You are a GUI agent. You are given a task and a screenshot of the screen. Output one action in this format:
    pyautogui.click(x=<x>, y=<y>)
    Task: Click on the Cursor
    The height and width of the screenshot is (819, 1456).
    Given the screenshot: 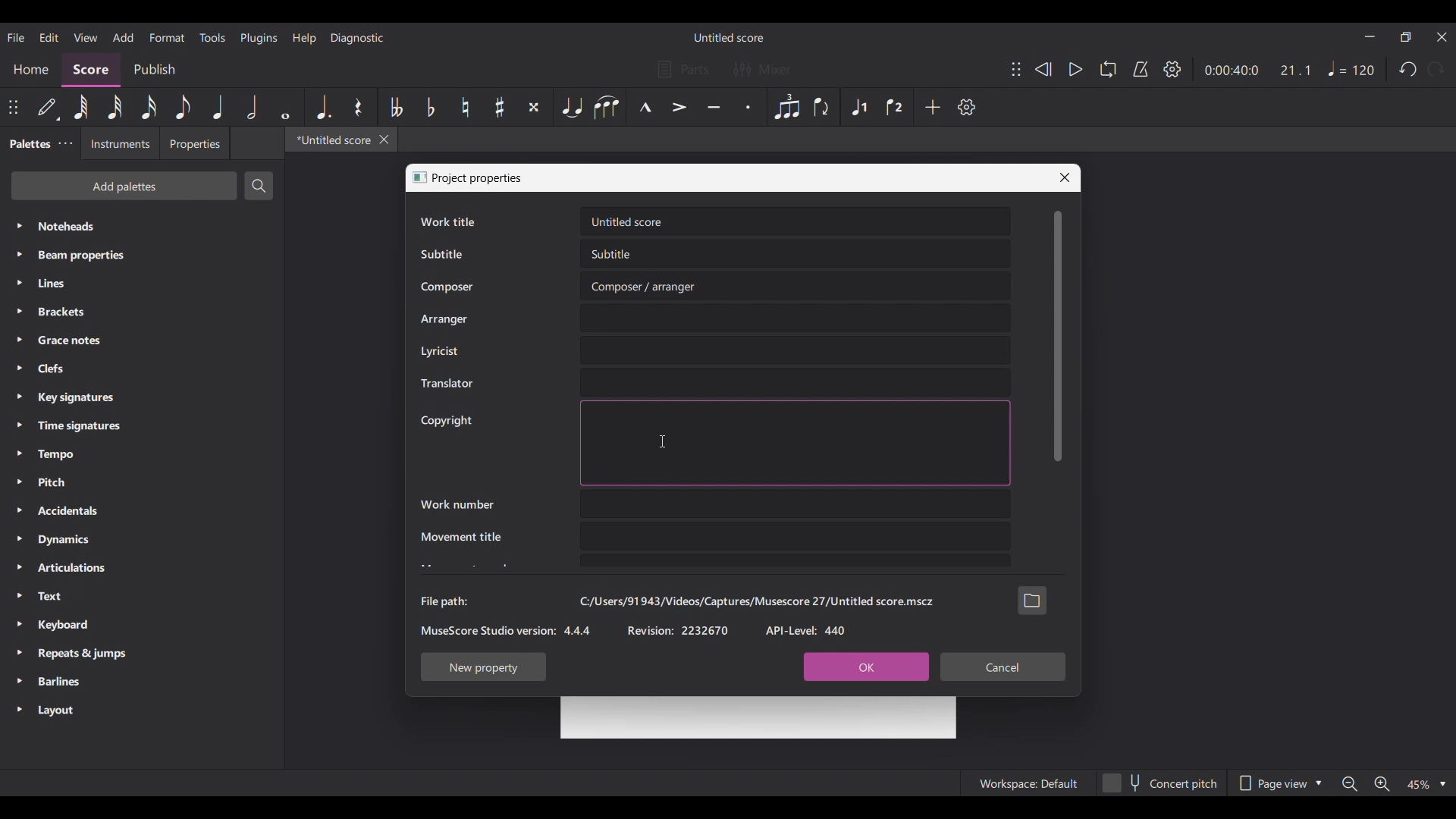 What is the action you would take?
    pyautogui.click(x=663, y=441)
    